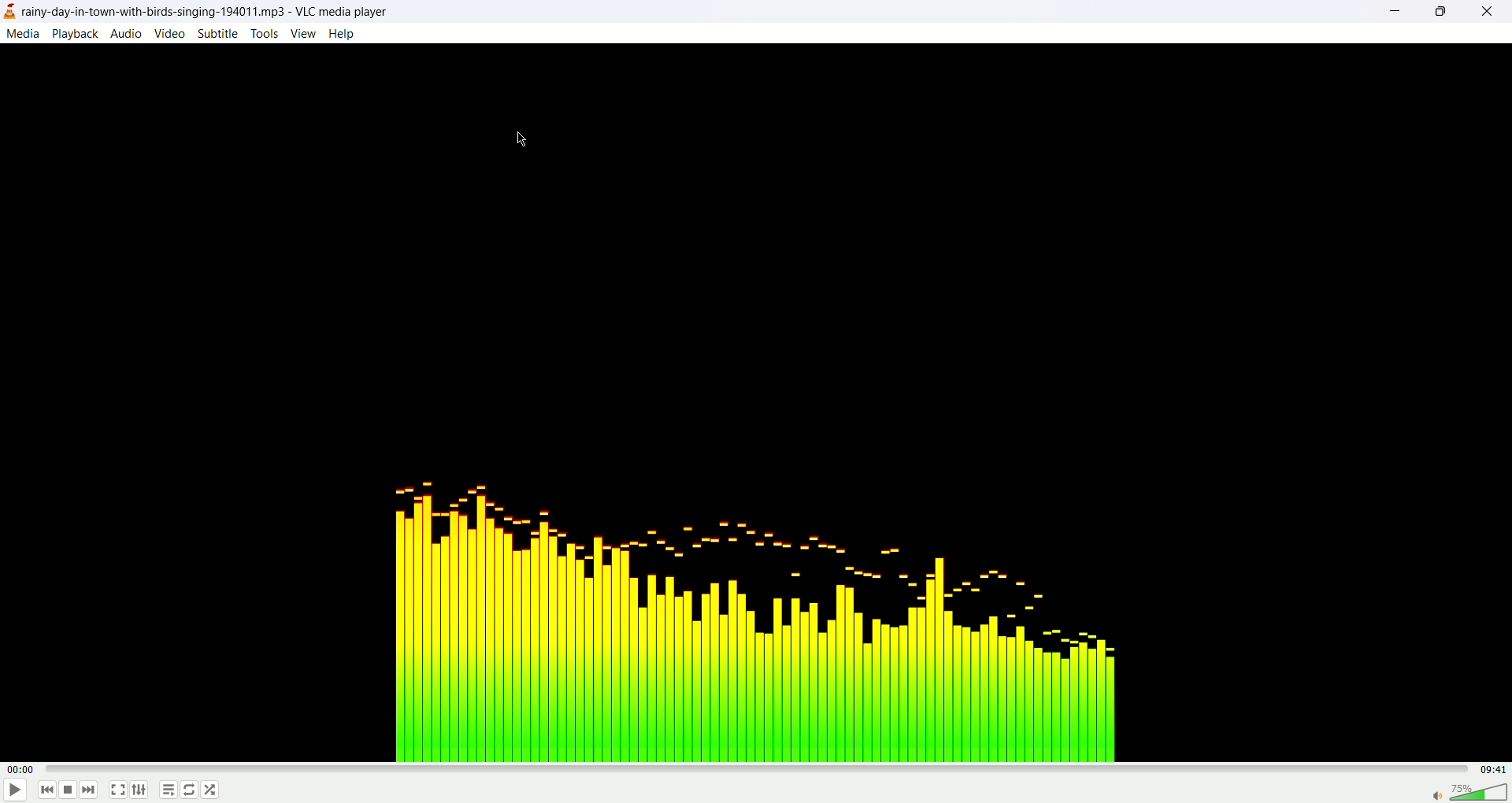  I want to click on progress bar, so click(755, 768).